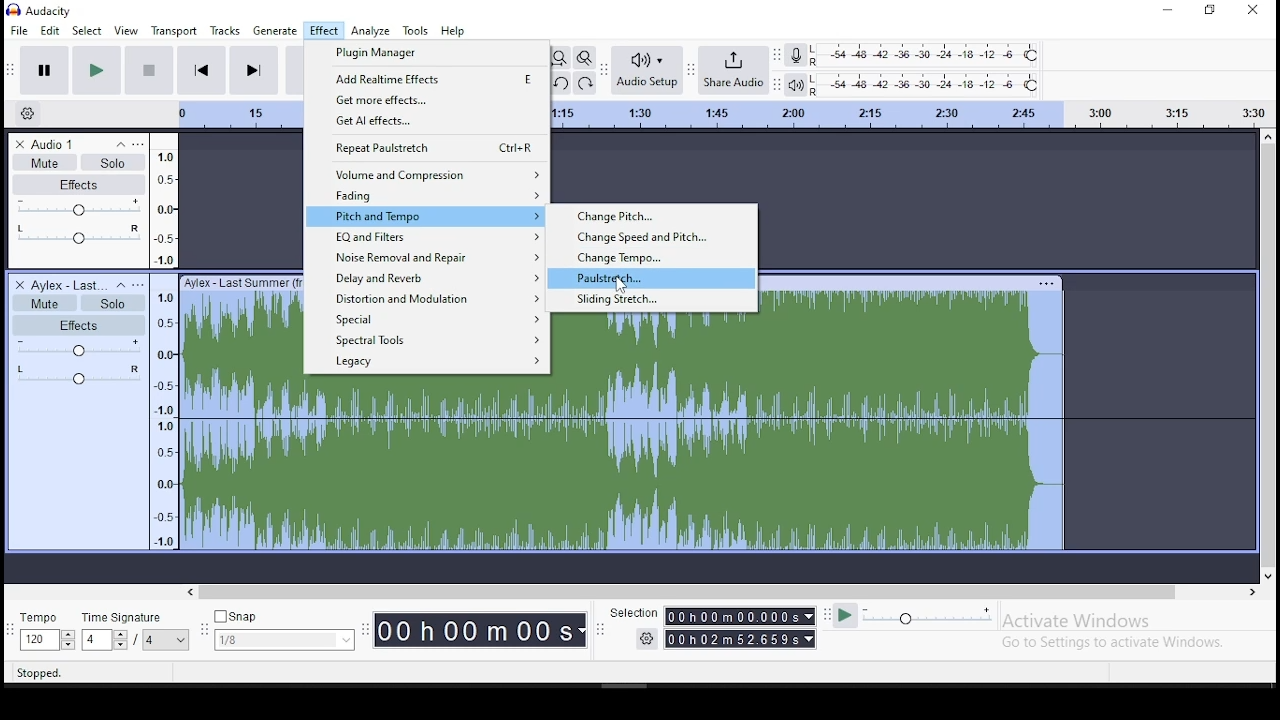 The height and width of the screenshot is (720, 1280). Describe the element at coordinates (585, 58) in the screenshot. I see `zoom toggle` at that location.